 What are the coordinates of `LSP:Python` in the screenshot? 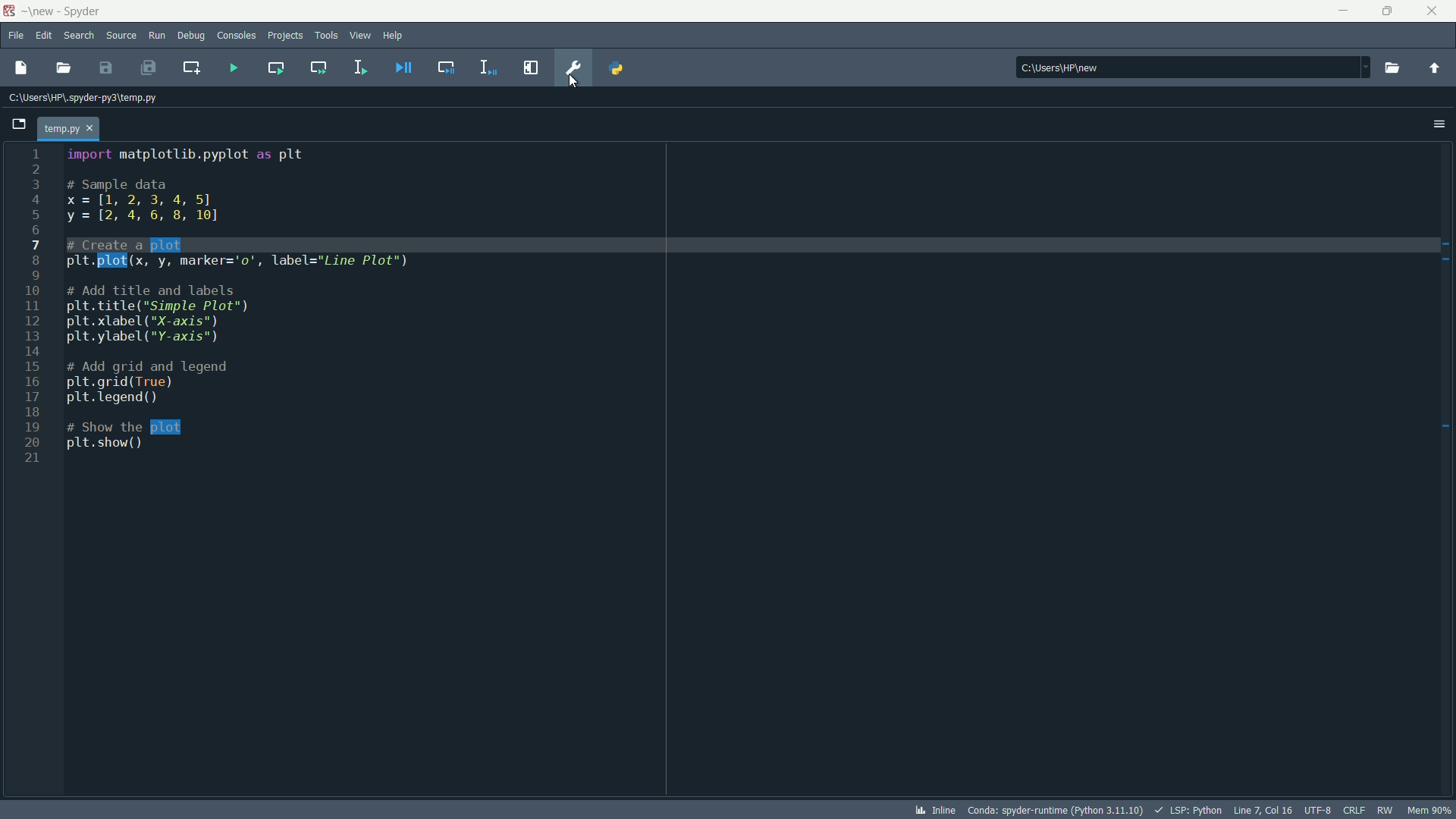 It's located at (1188, 809).